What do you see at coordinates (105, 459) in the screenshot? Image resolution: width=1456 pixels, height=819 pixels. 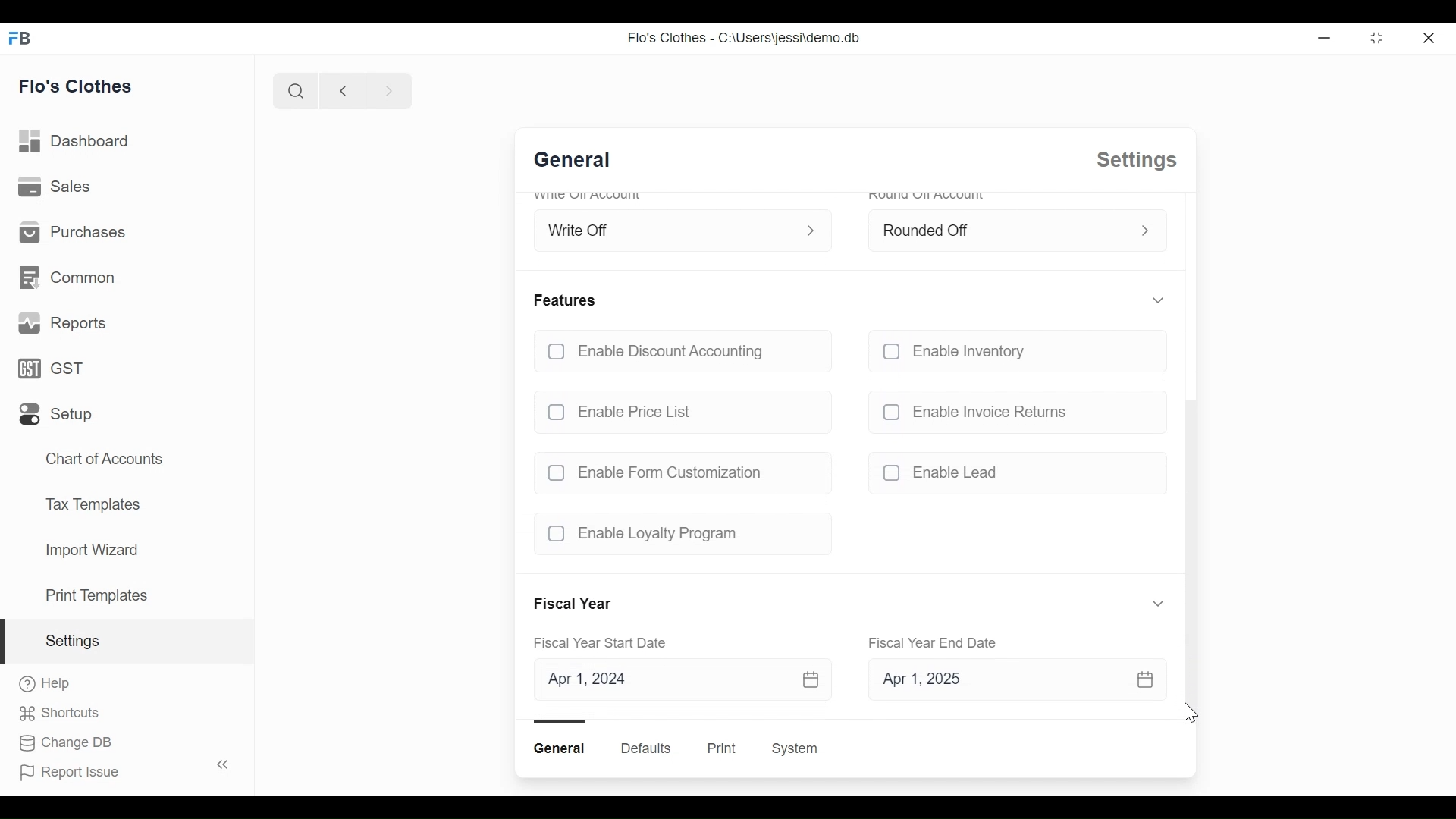 I see `Chart of Accounts` at bounding box center [105, 459].